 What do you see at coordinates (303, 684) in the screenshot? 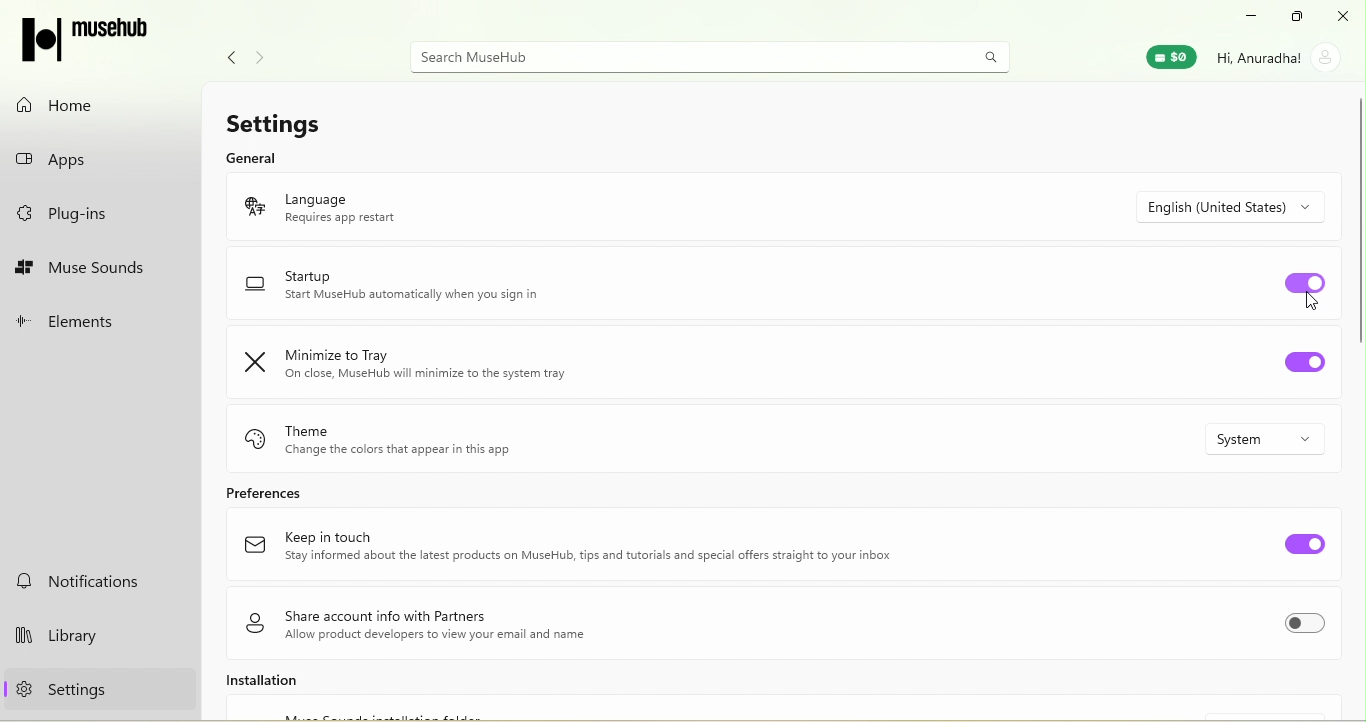
I see `Installation` at bounding box center [303, 684].